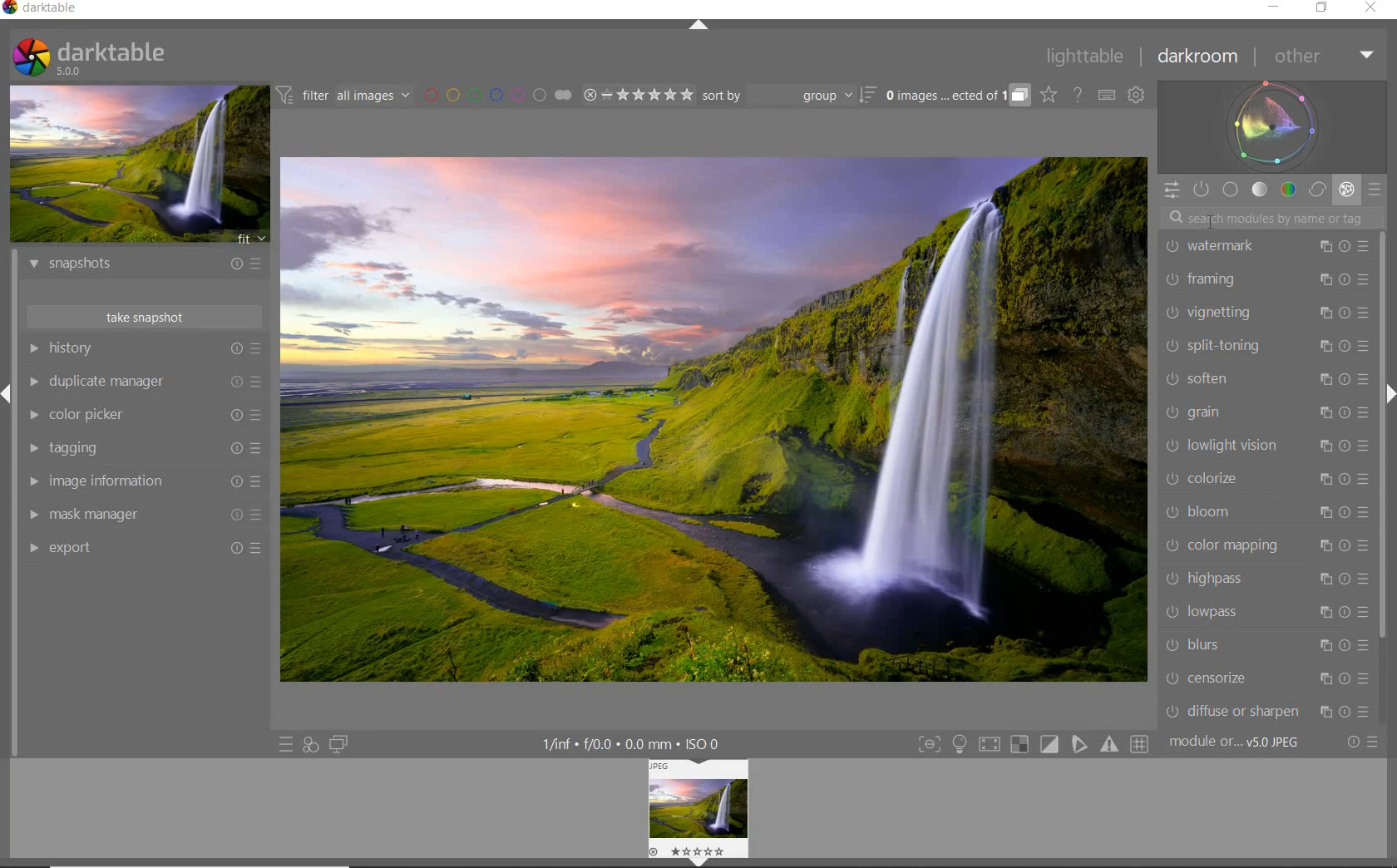  Describe the element at coordinates (343, 96) in the screenshot. I see `FILTER IMAGES BASED ON THEIR MODULE ORDER` at that location.